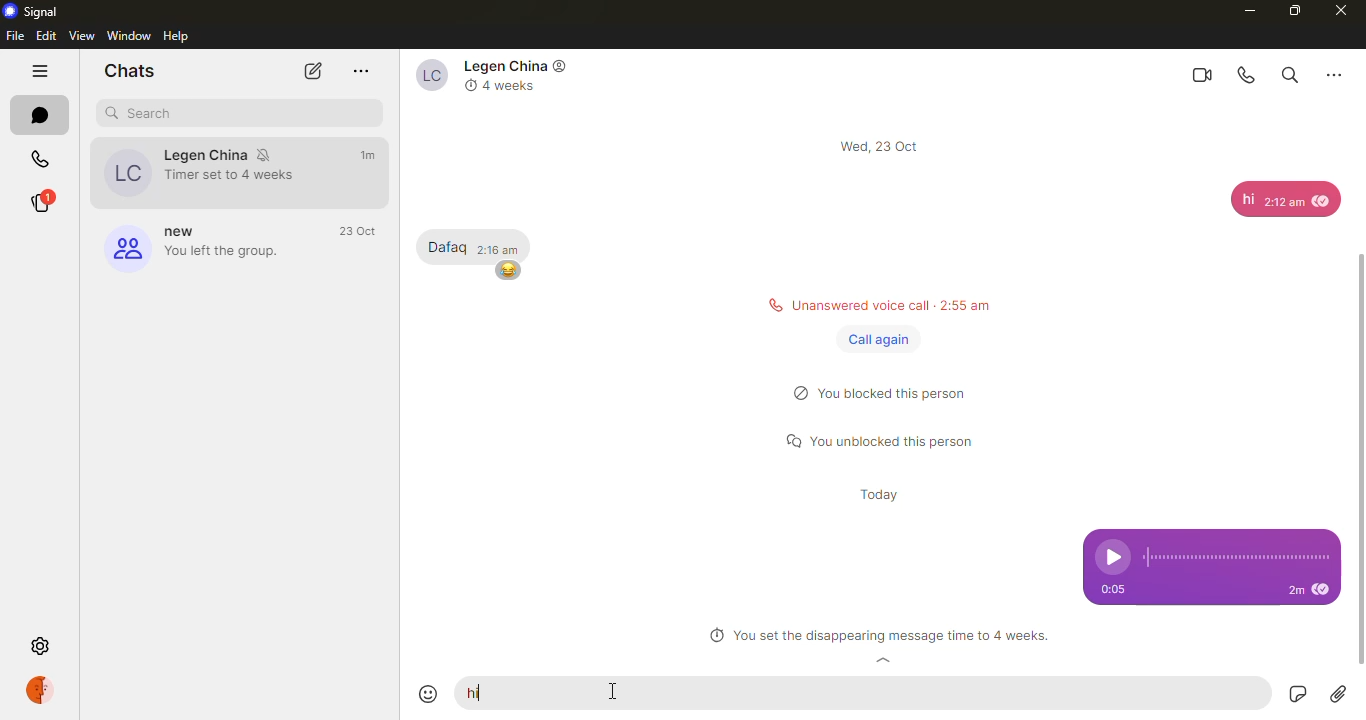 The width and height of the screenshot is (1366, 720). Describe the element at coordinates (40, 115) in the screenshot. I see `chats` at that location.